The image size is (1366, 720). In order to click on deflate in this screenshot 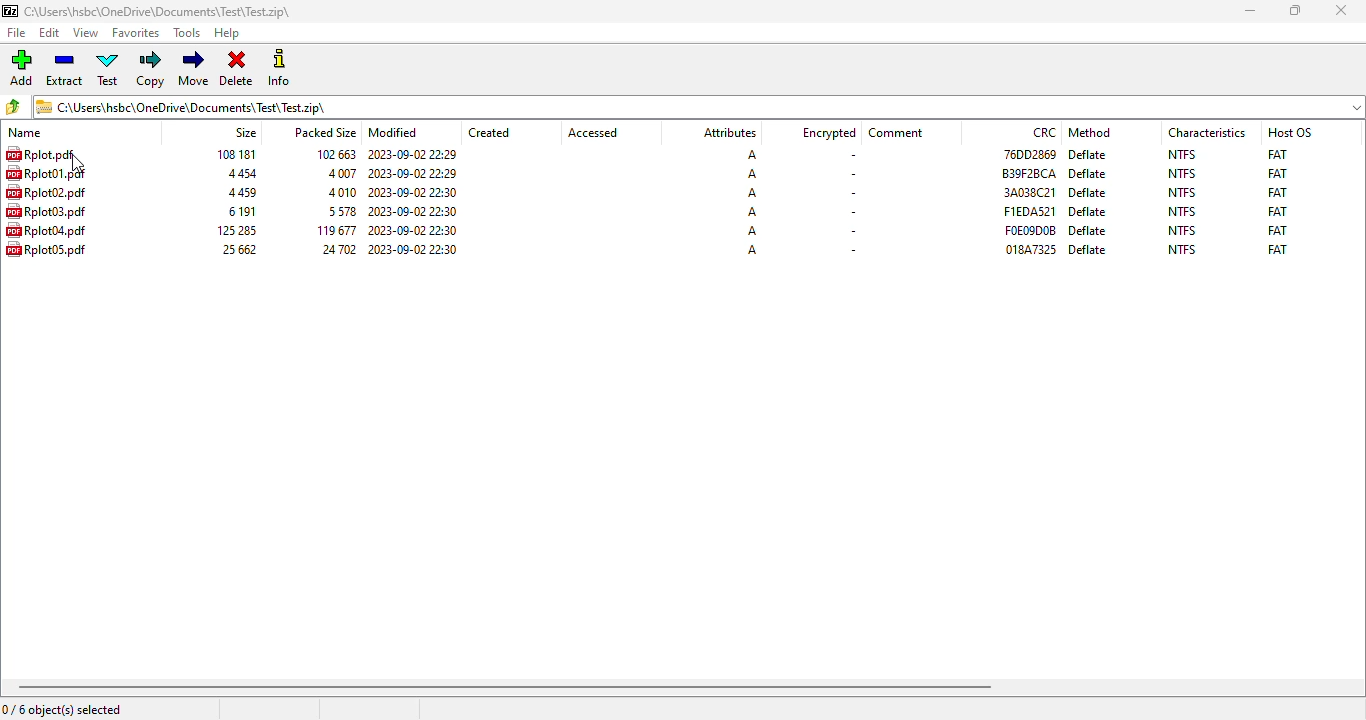, I will do `click(1089, 230)`.